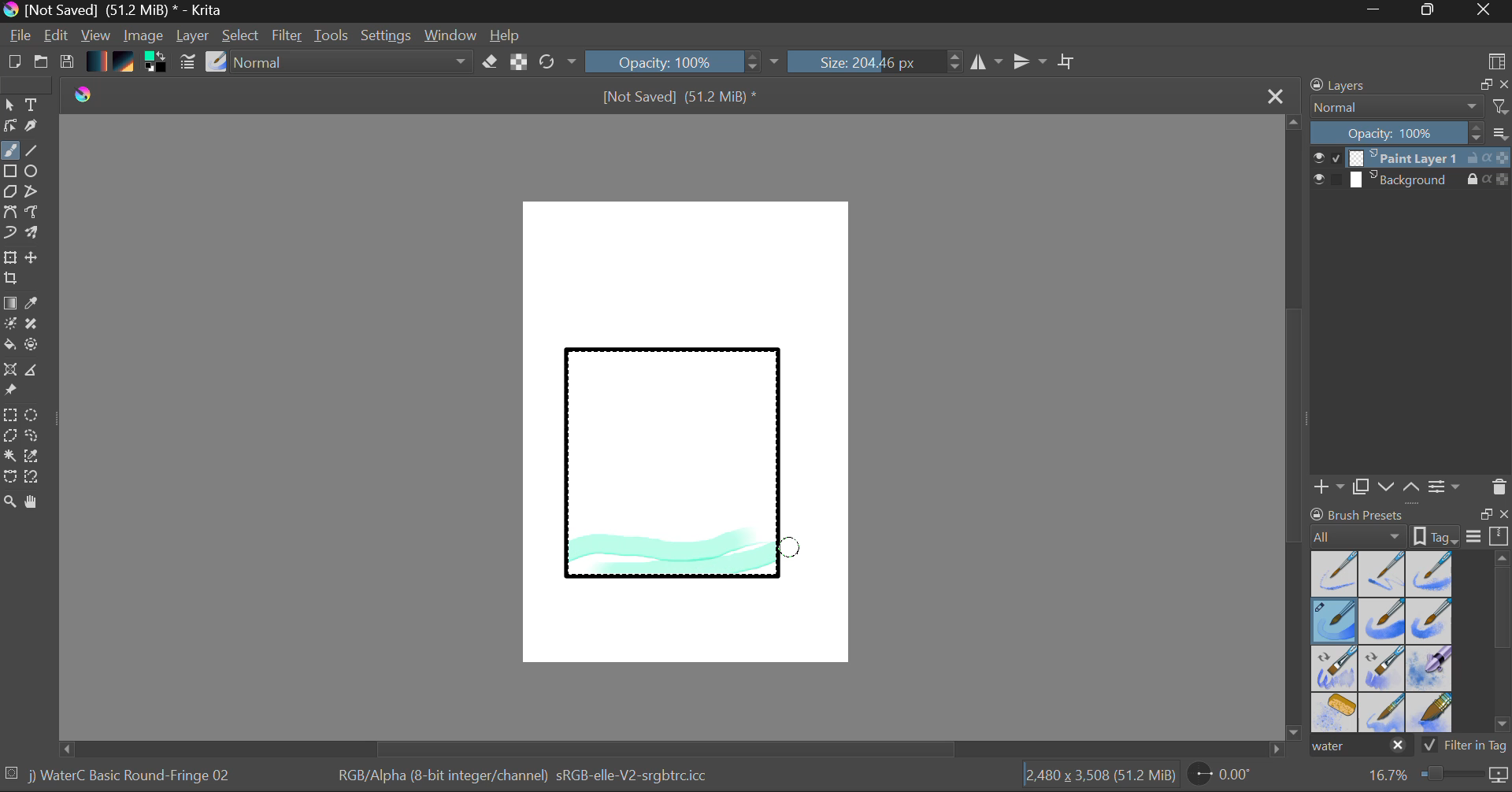 This screenshot has width=1512, height=792. What do you see at coordinates (674, 479) in the screenshot?
I see `Rectangle Shape Selected` at bounding box center [674, 479].